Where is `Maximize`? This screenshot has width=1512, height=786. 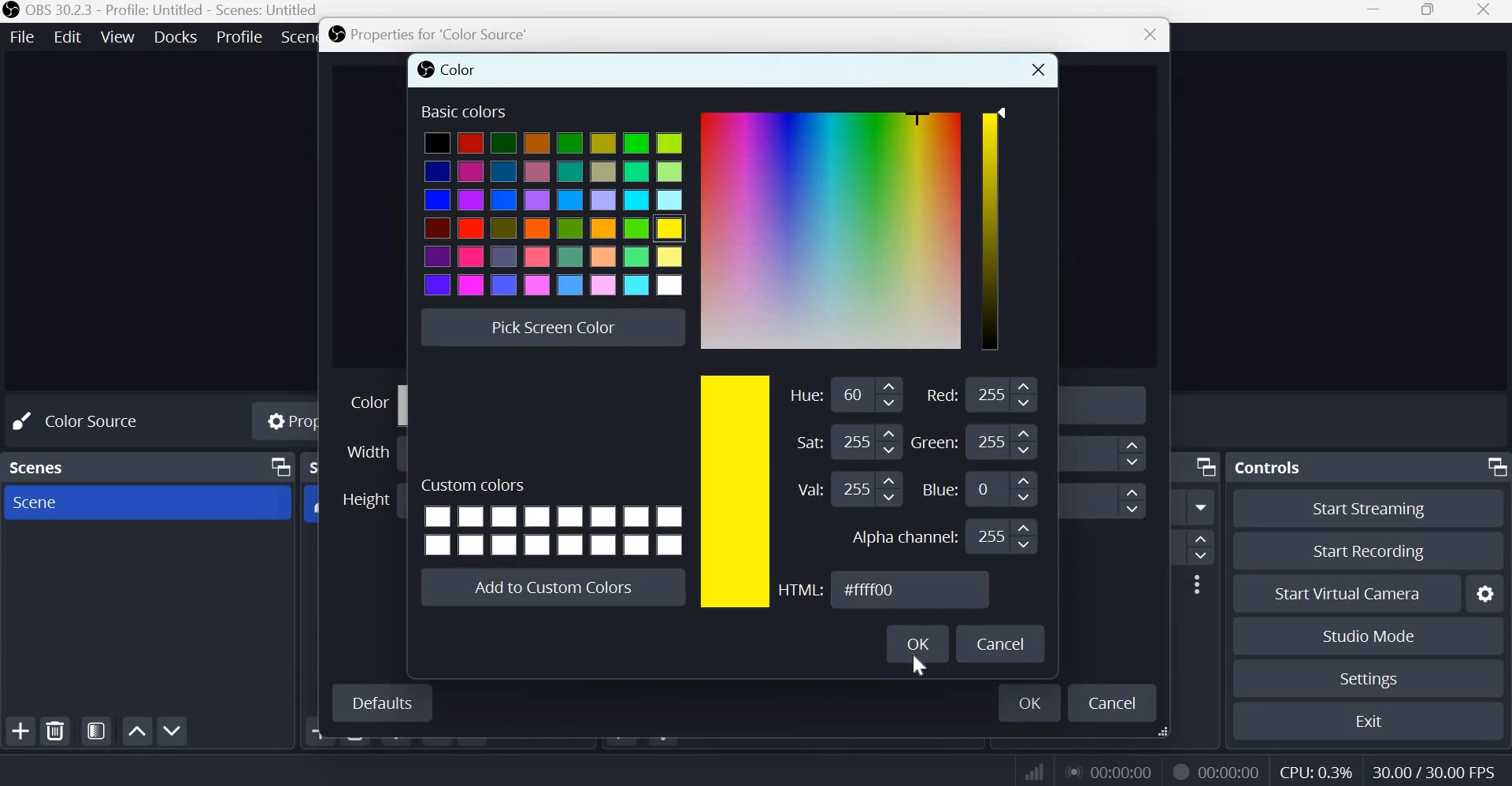 Maximize is located at coordinates (1428, 11).